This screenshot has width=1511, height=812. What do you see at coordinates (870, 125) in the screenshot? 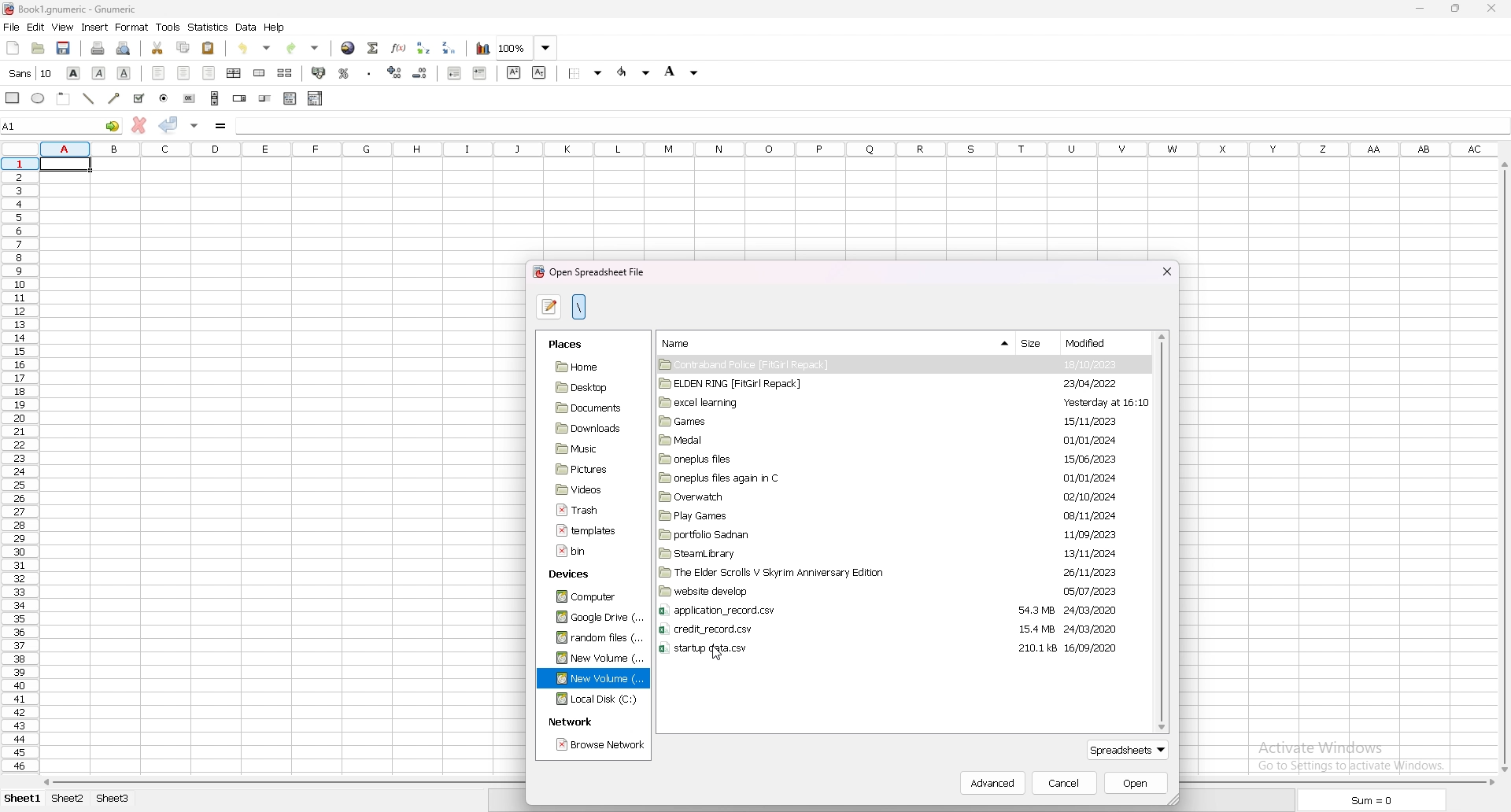
I see `cell input` at bounding box center [870, 125].